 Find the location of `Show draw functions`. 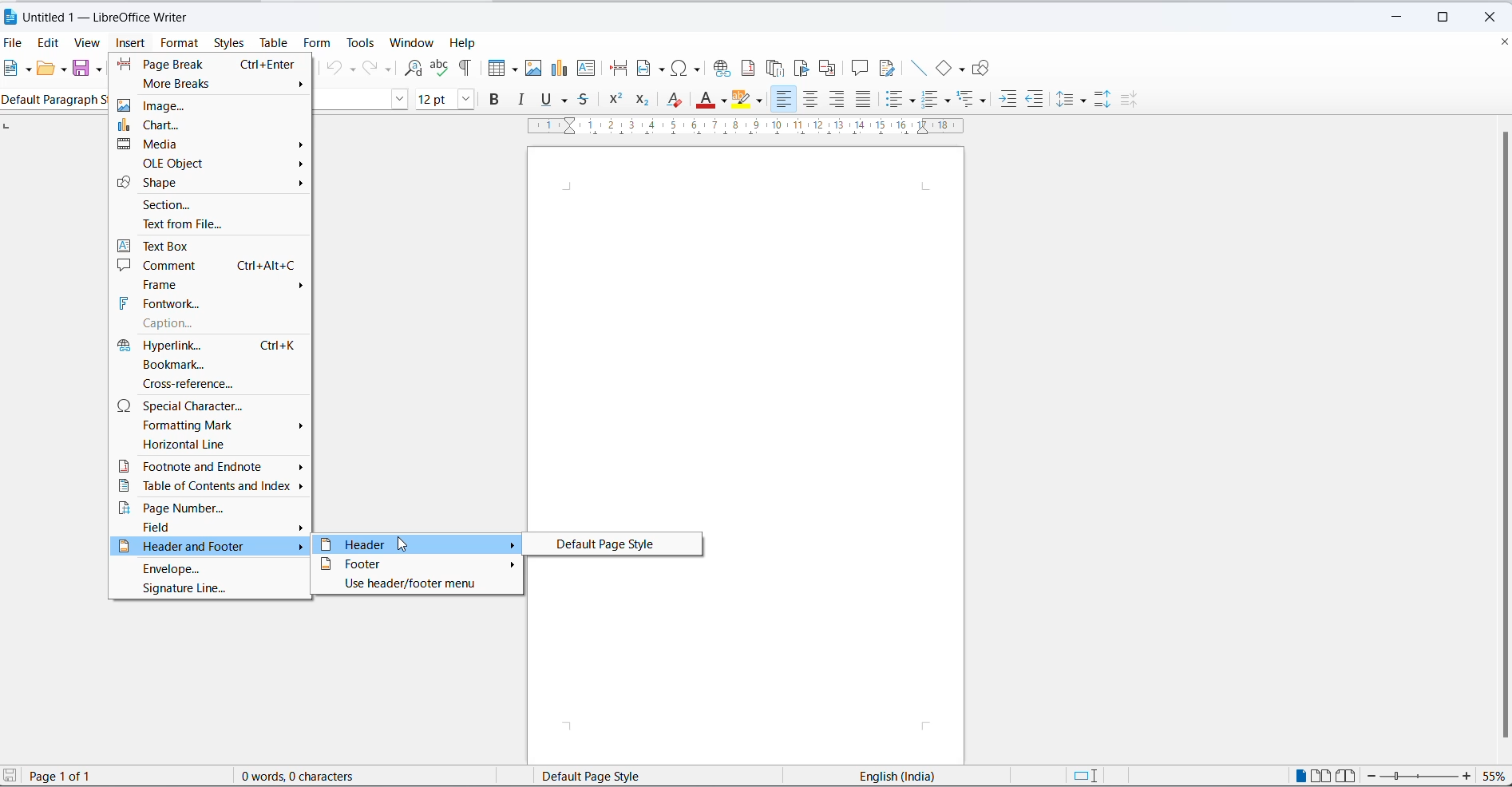

Show draw functions is located at coordinates (984, 69).